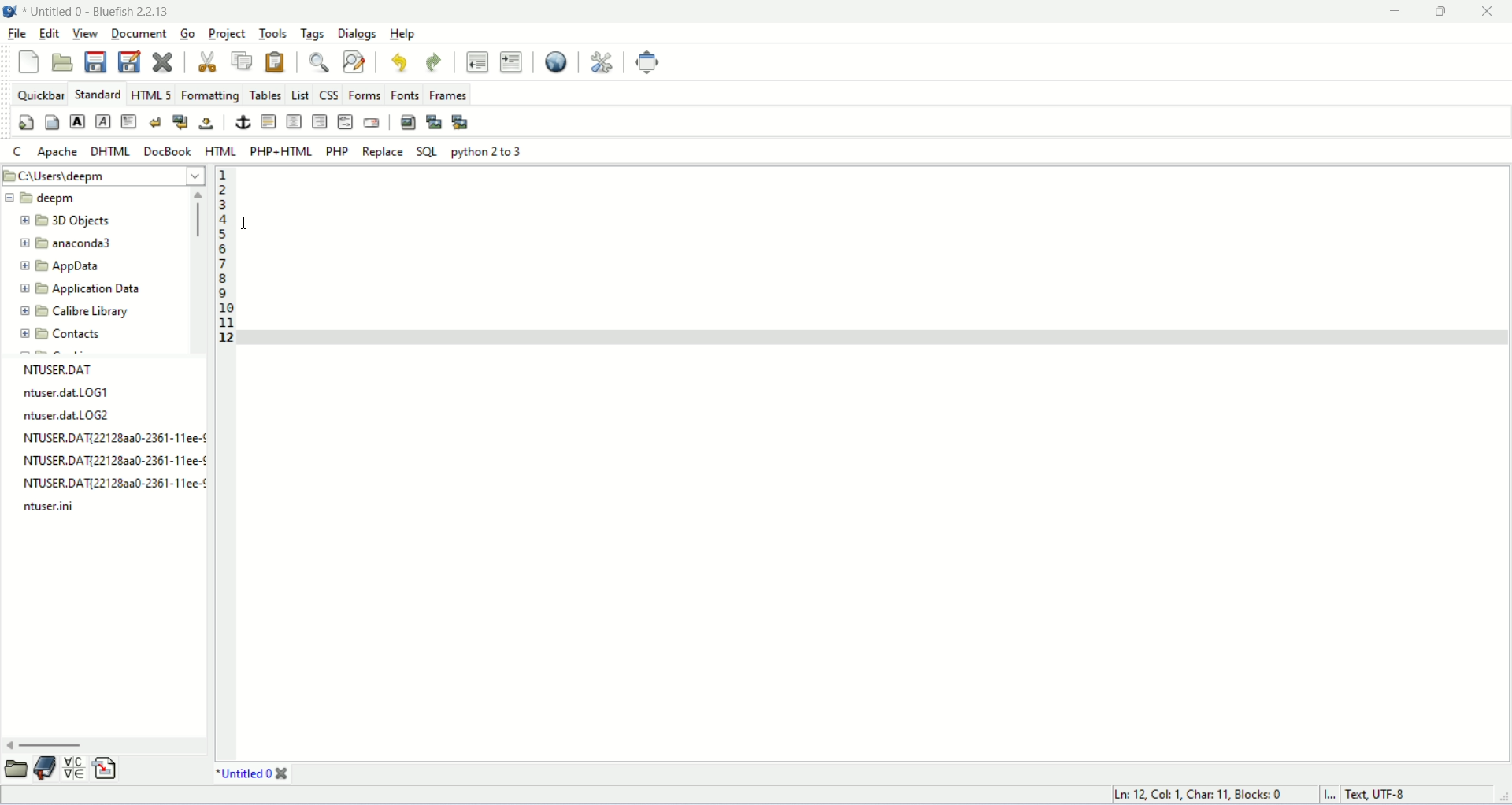 The height and width of the screenshot is (805, 1512). I want to click on filename, so click(112, 439).